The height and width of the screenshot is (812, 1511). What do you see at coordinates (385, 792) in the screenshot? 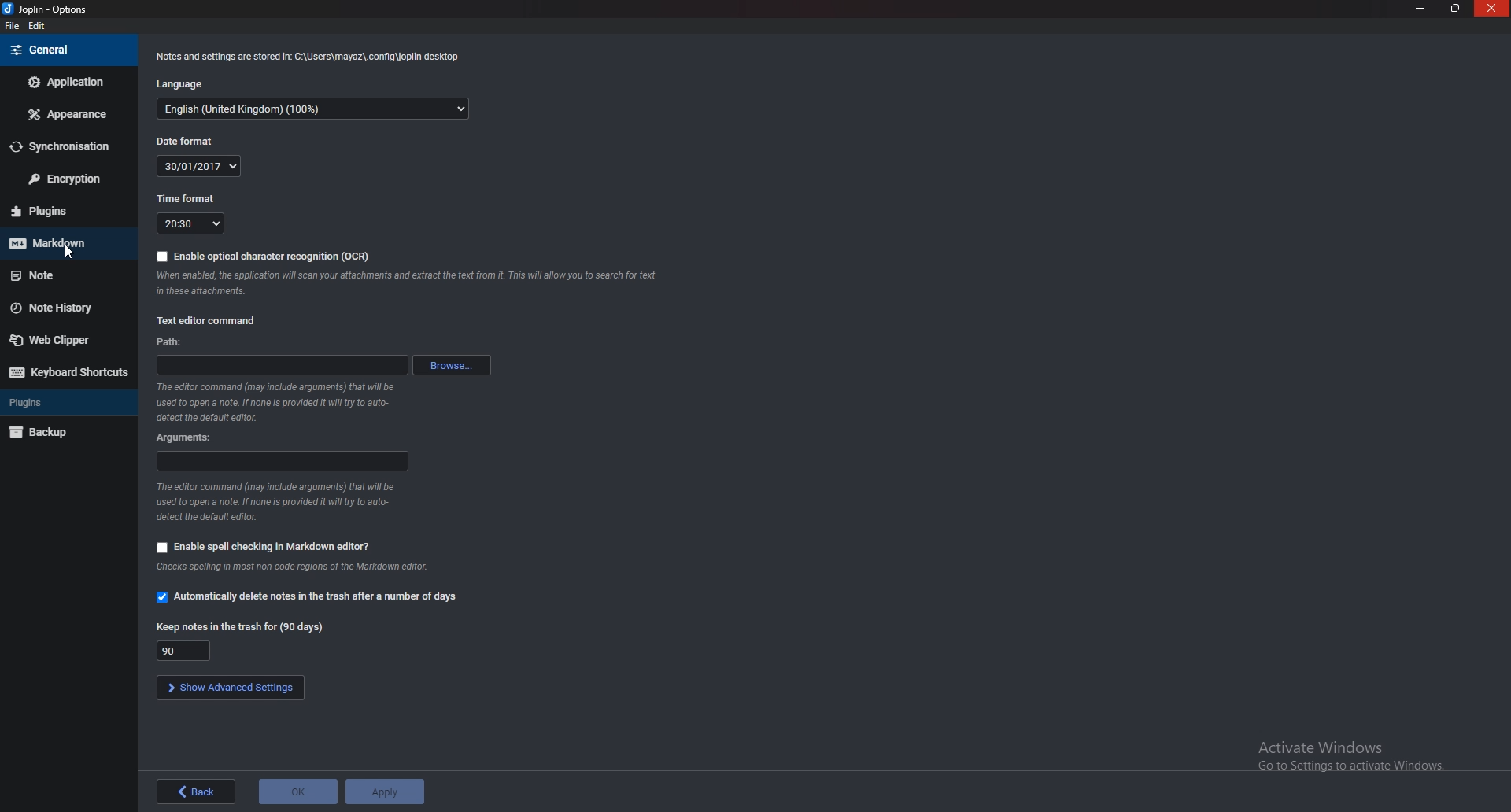
I see `apply` at bounding box center [385, 792].